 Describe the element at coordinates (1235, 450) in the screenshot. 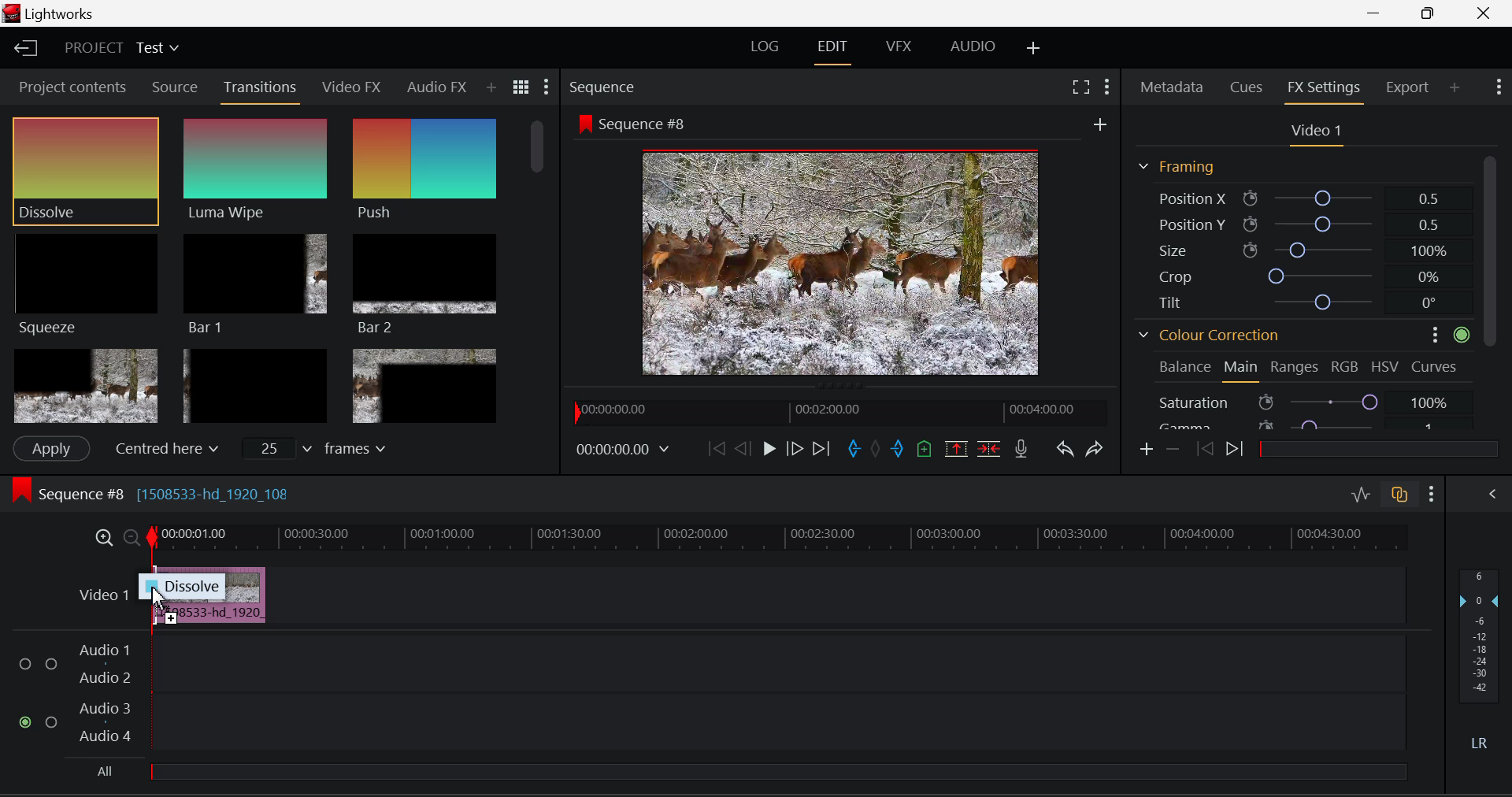

I see `Next keyframe` at that location.